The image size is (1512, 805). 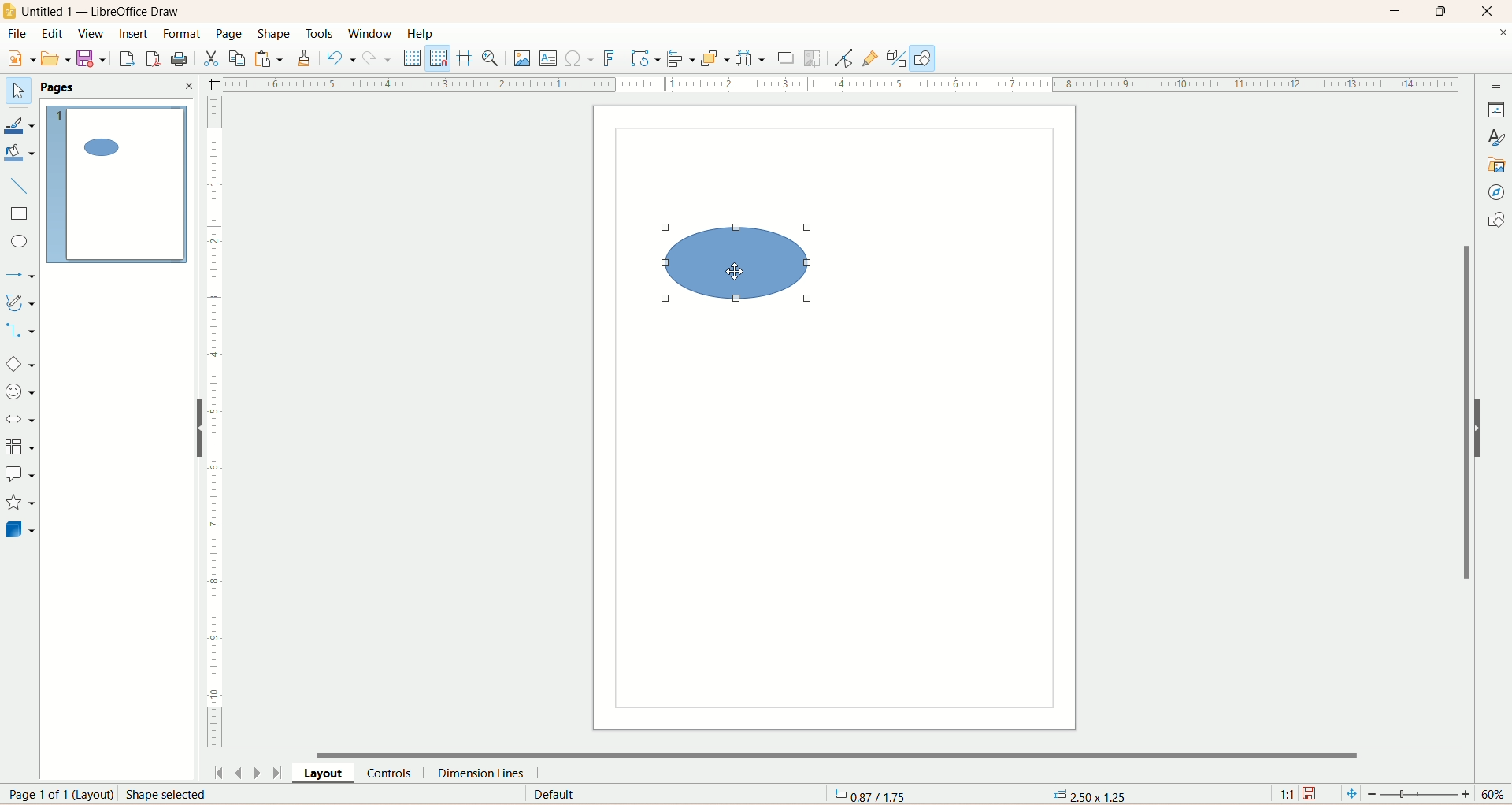 I want to click on 3D shapes, so click(x=21, y=529).